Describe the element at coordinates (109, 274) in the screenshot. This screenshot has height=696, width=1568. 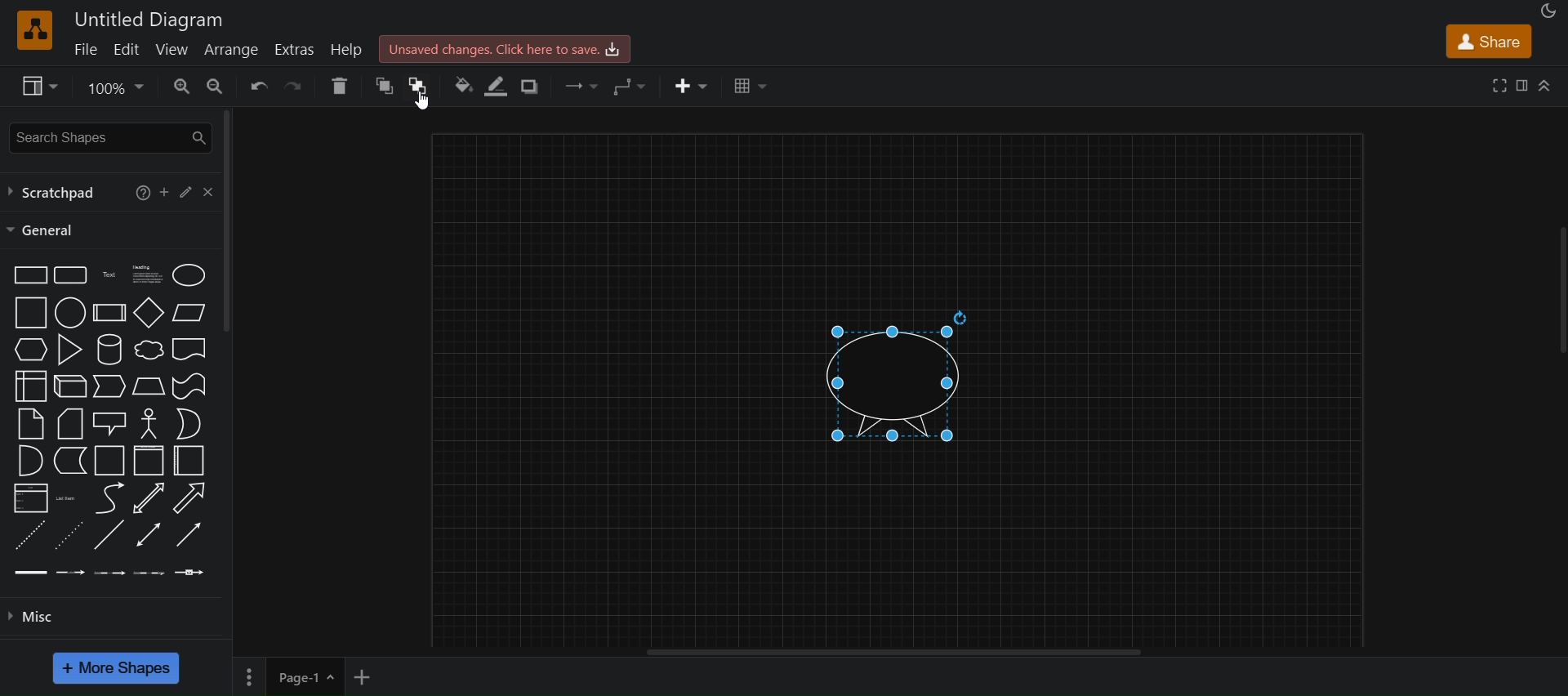
I see `text` at that location.